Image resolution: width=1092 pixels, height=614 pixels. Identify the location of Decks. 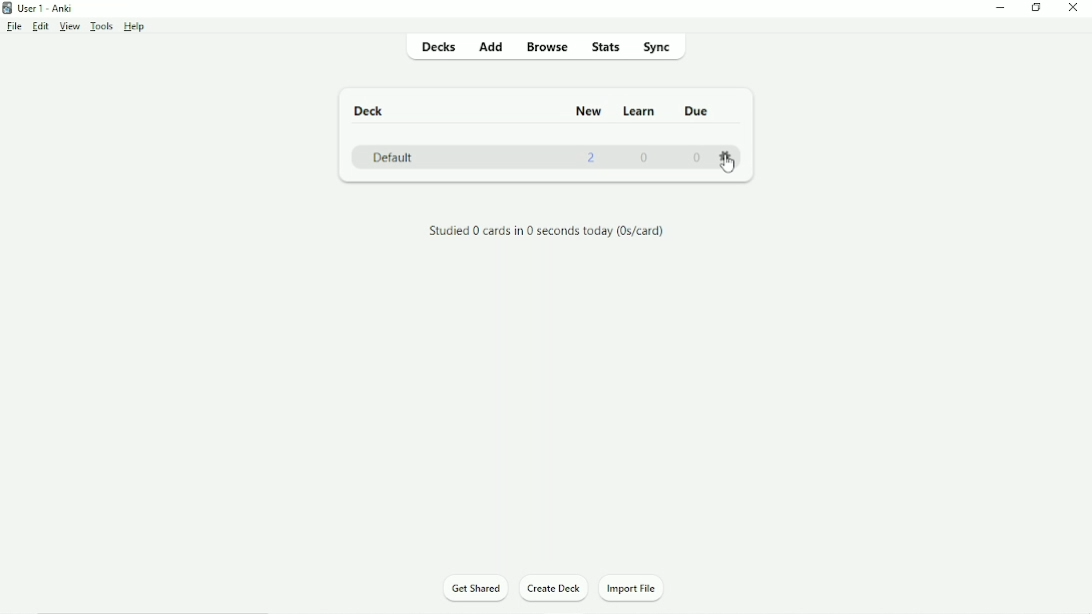
(437, 49).